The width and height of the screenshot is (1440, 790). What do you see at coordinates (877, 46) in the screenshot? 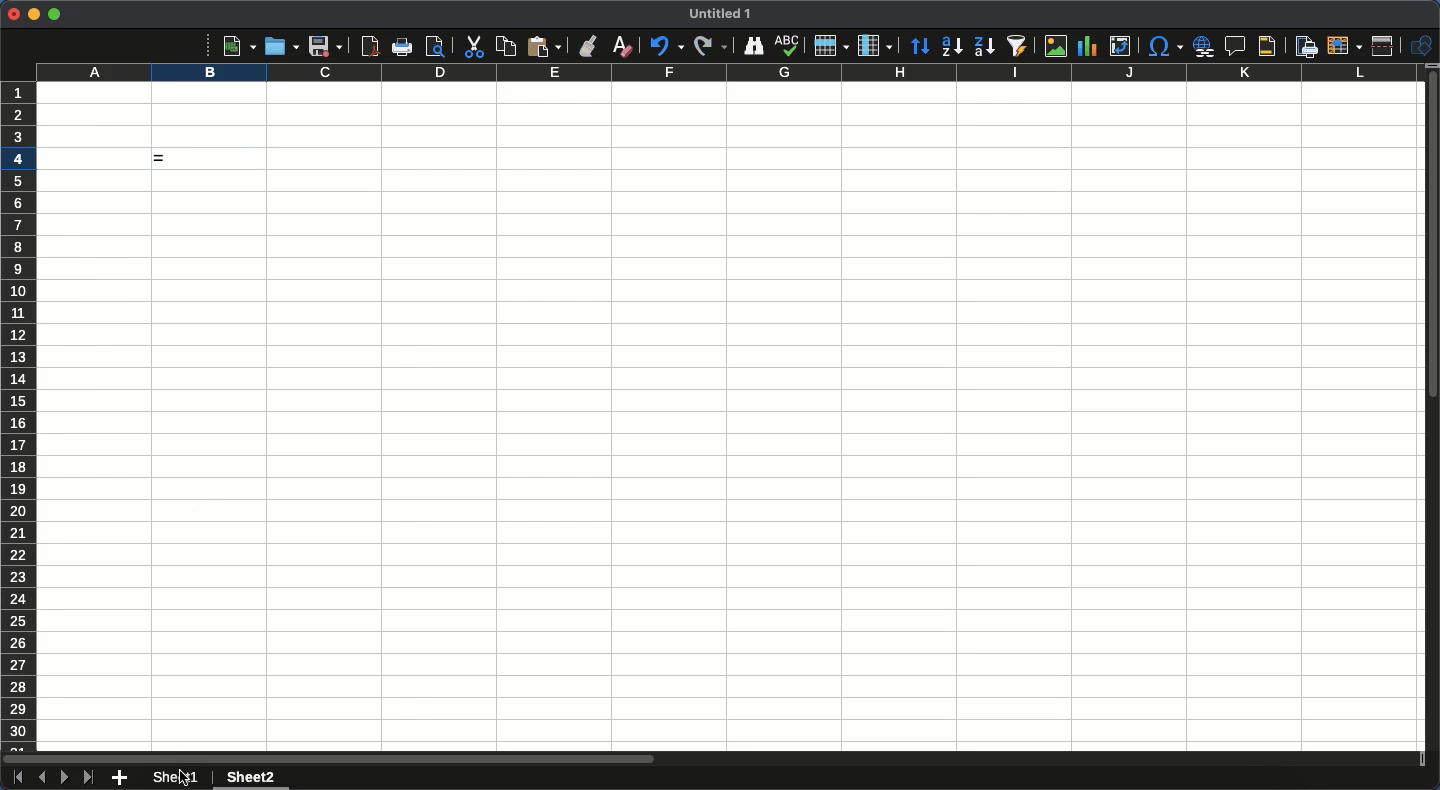
I see `Column` at bounding box center [877, 46].